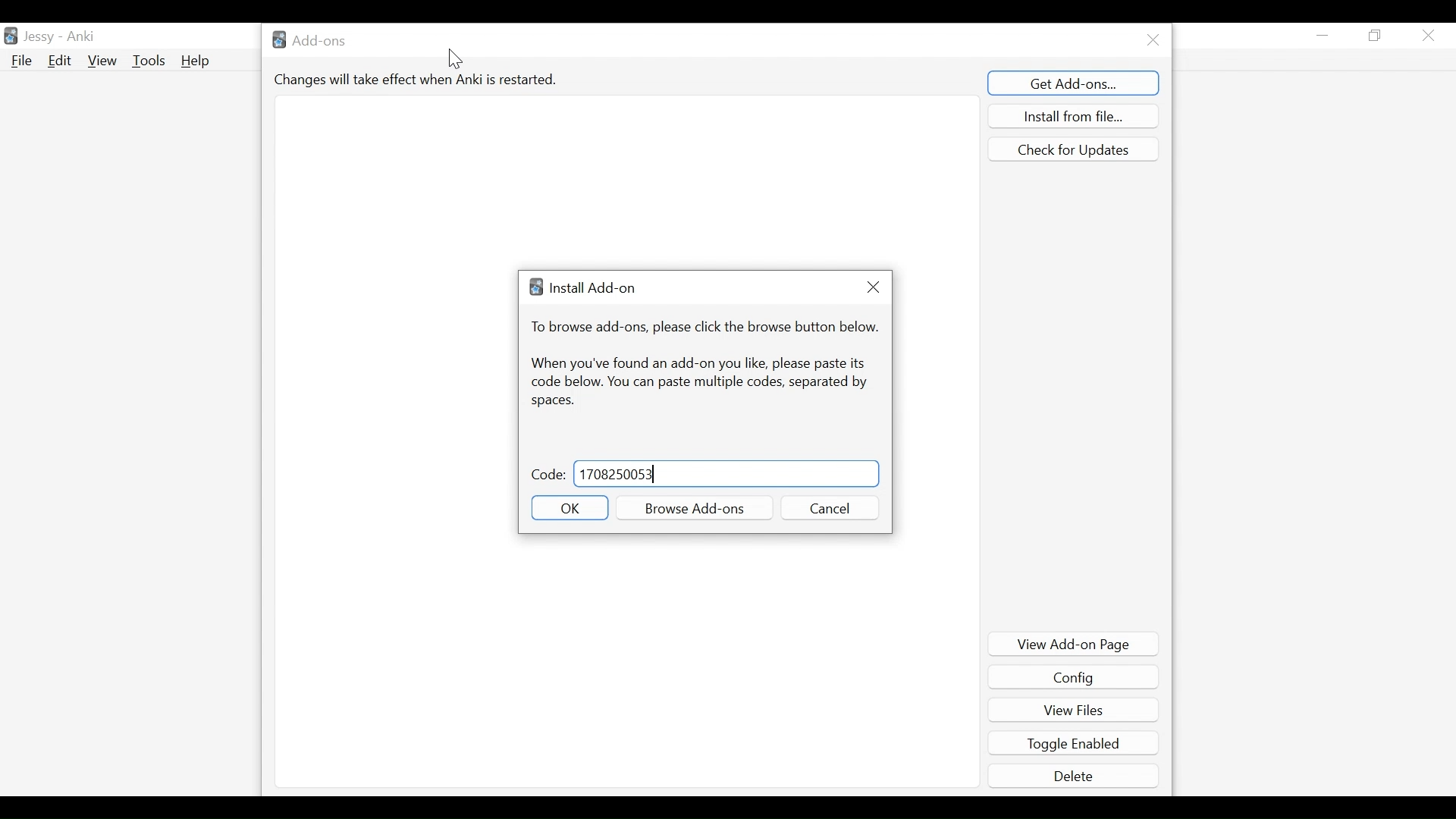 The height and width of the screenshot is (819, 1456). I want to click on Delete, so click(1075, 775).